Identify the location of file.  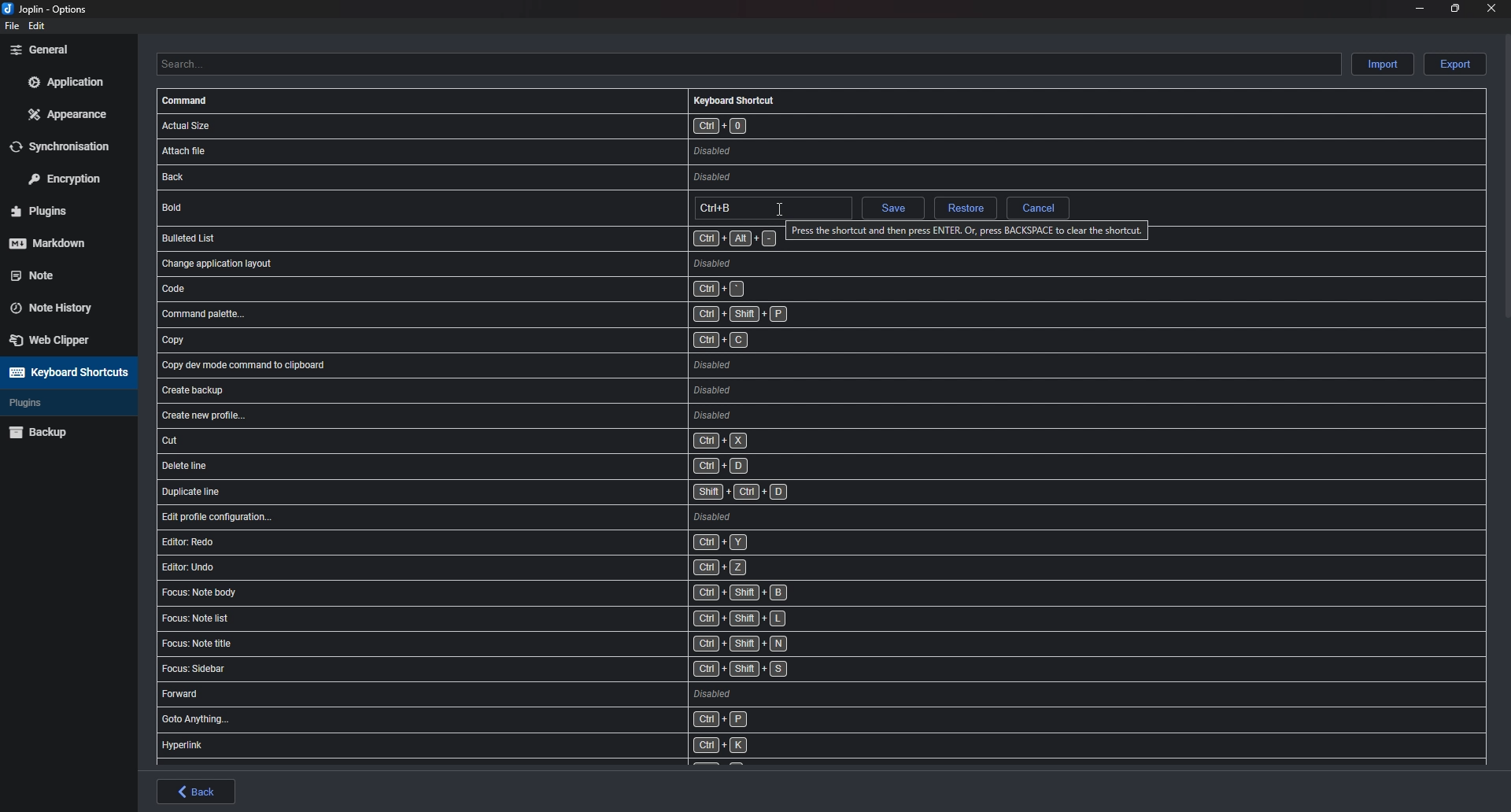
(10, 26).